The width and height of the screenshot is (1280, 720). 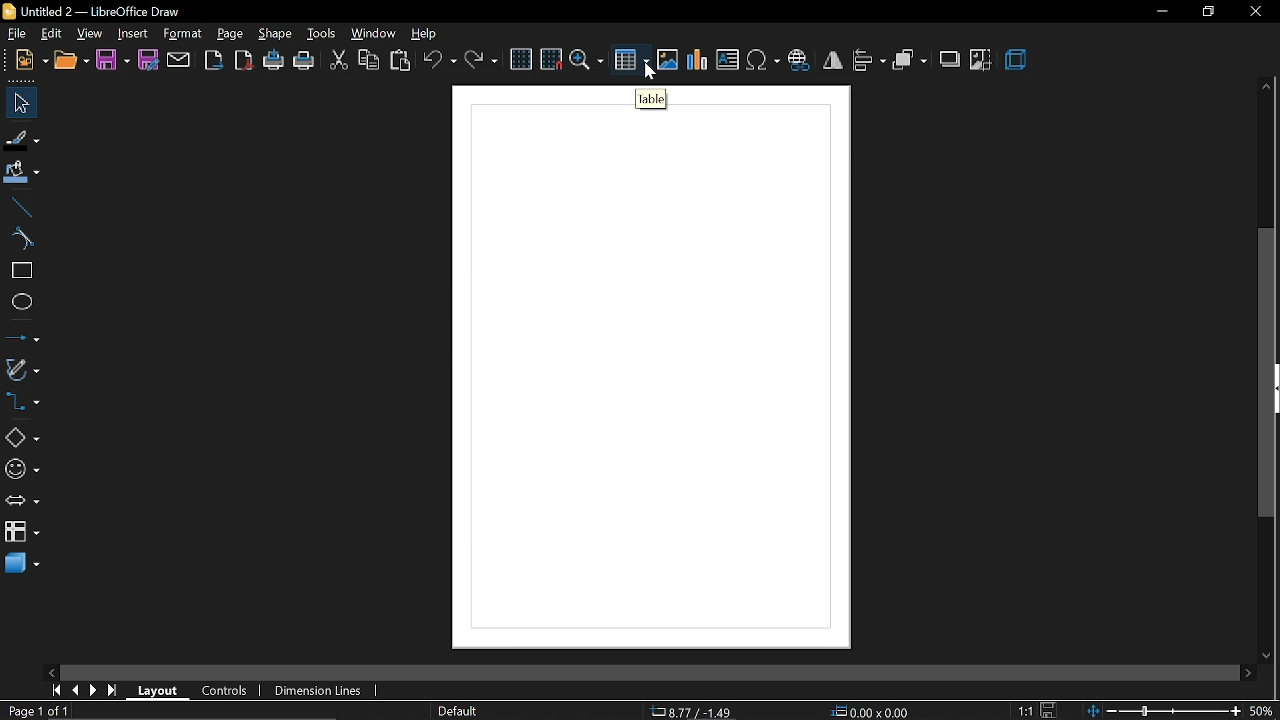 I want to click on curves and polygons, so click(x=22, y=370).